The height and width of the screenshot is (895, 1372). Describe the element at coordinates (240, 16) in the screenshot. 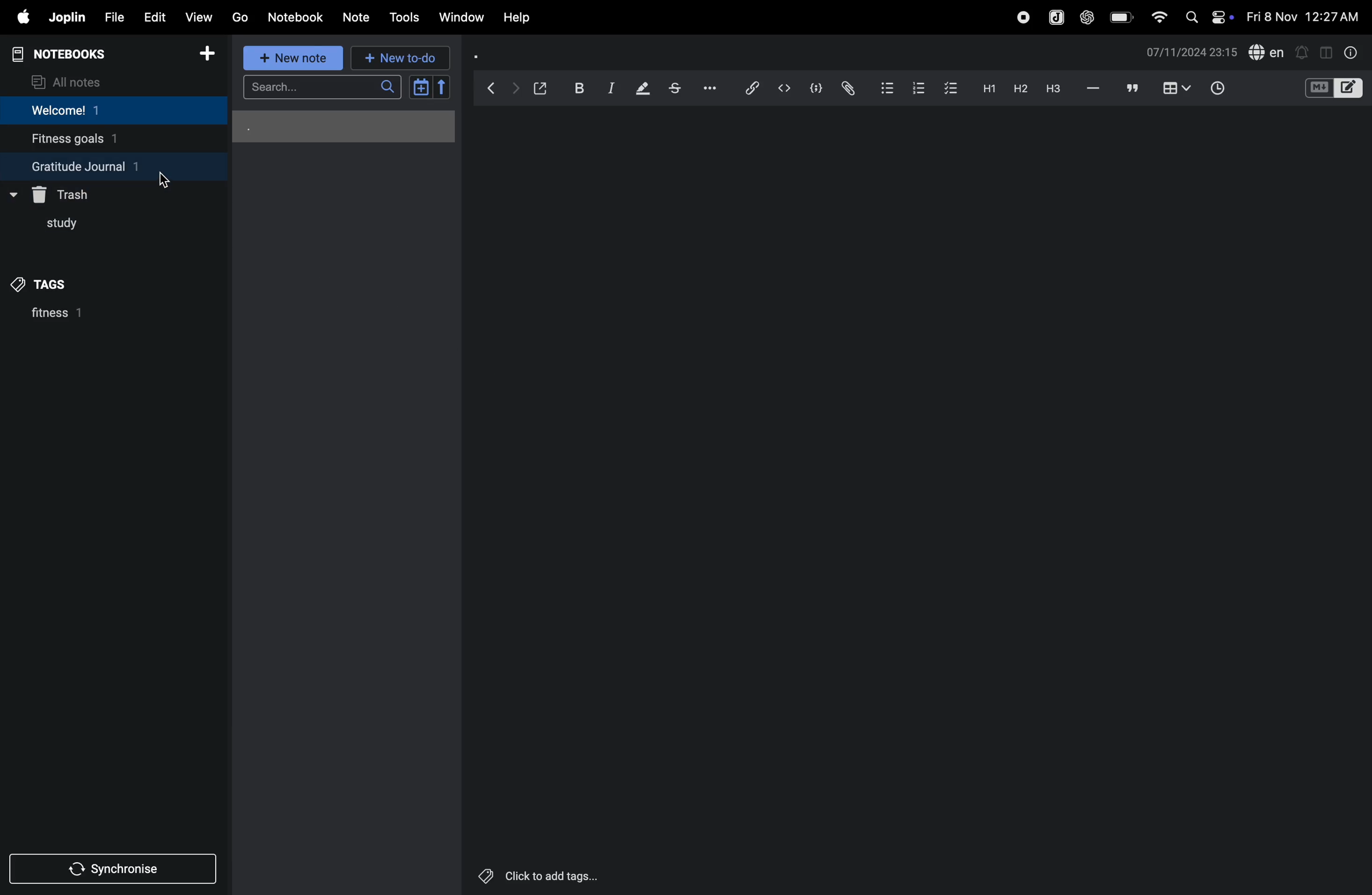

I see `Go` at that location.